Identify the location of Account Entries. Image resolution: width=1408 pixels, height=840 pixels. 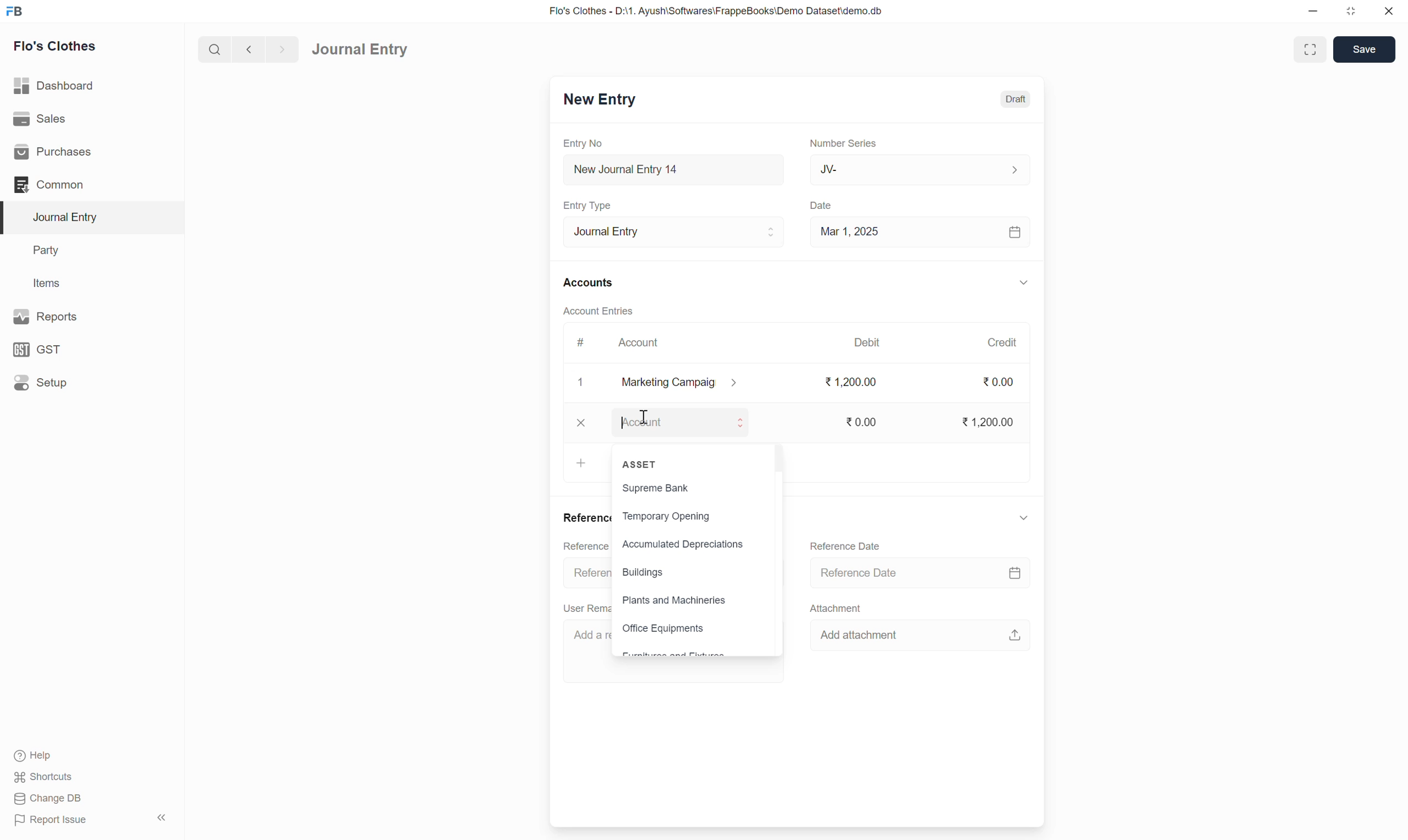
(599, 310).